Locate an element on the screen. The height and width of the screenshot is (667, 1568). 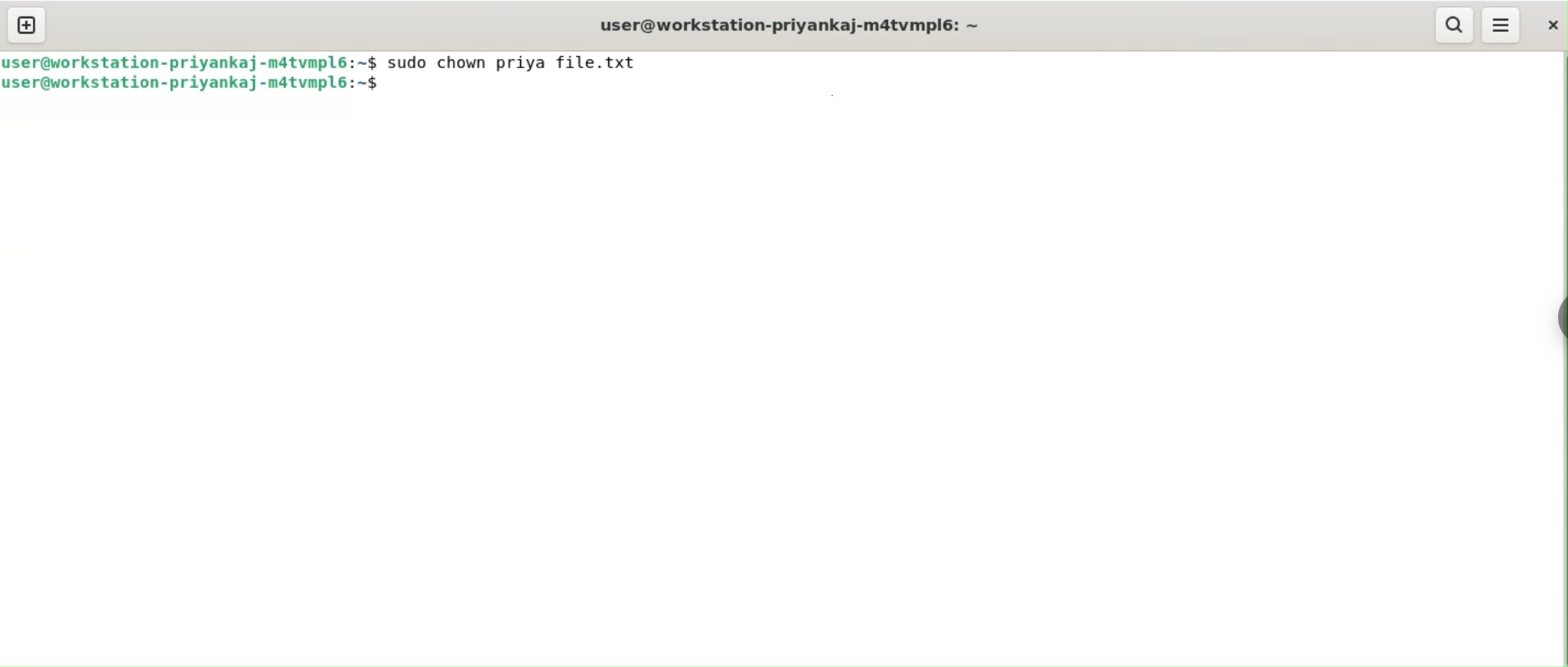
close is located at coordinates (1549, 25).